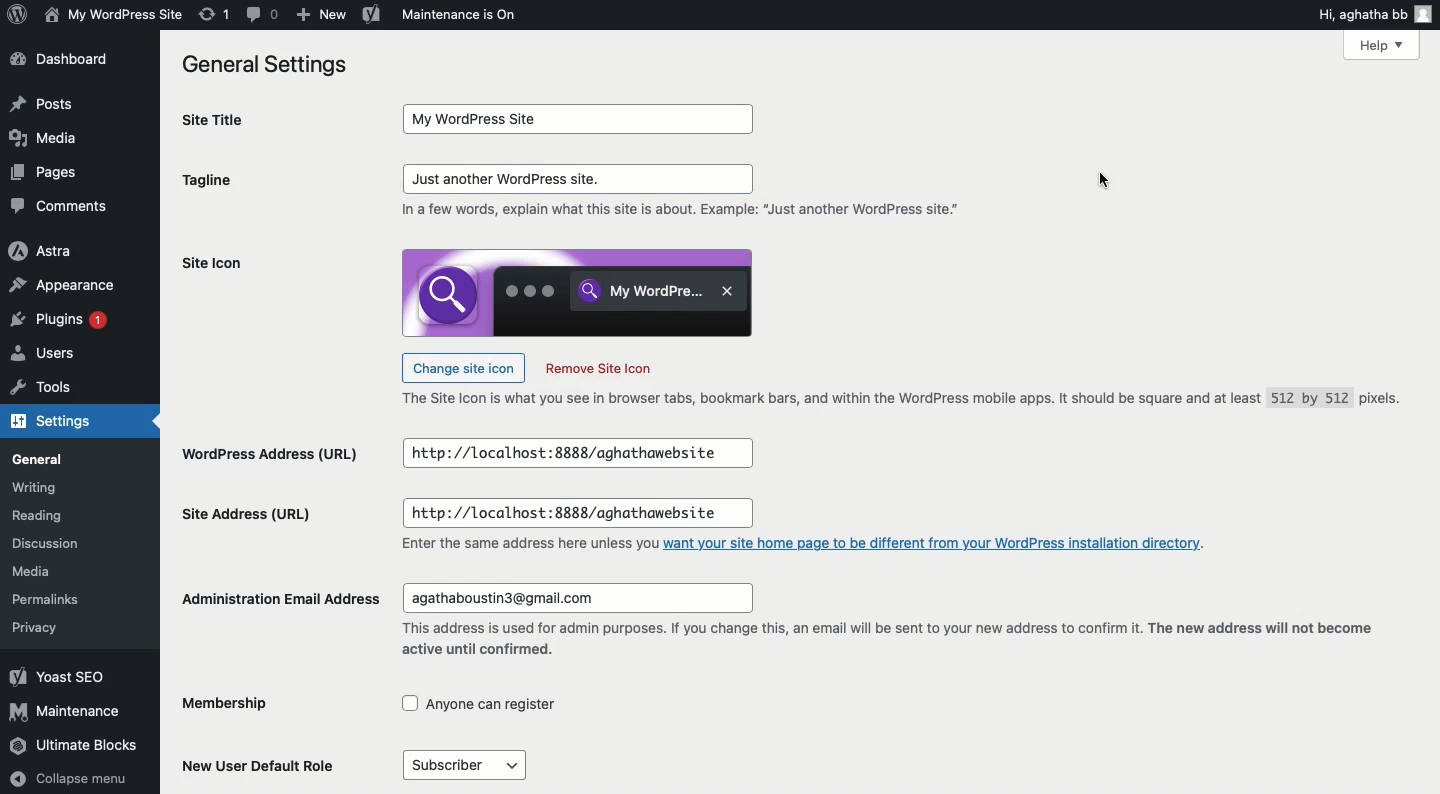 Image resolution: width=1440 pixels, height=794 pixels. What do you see at coordinates (57, 676) in the screenshot?
I see `Yoast` at bounding box center [57, 676].